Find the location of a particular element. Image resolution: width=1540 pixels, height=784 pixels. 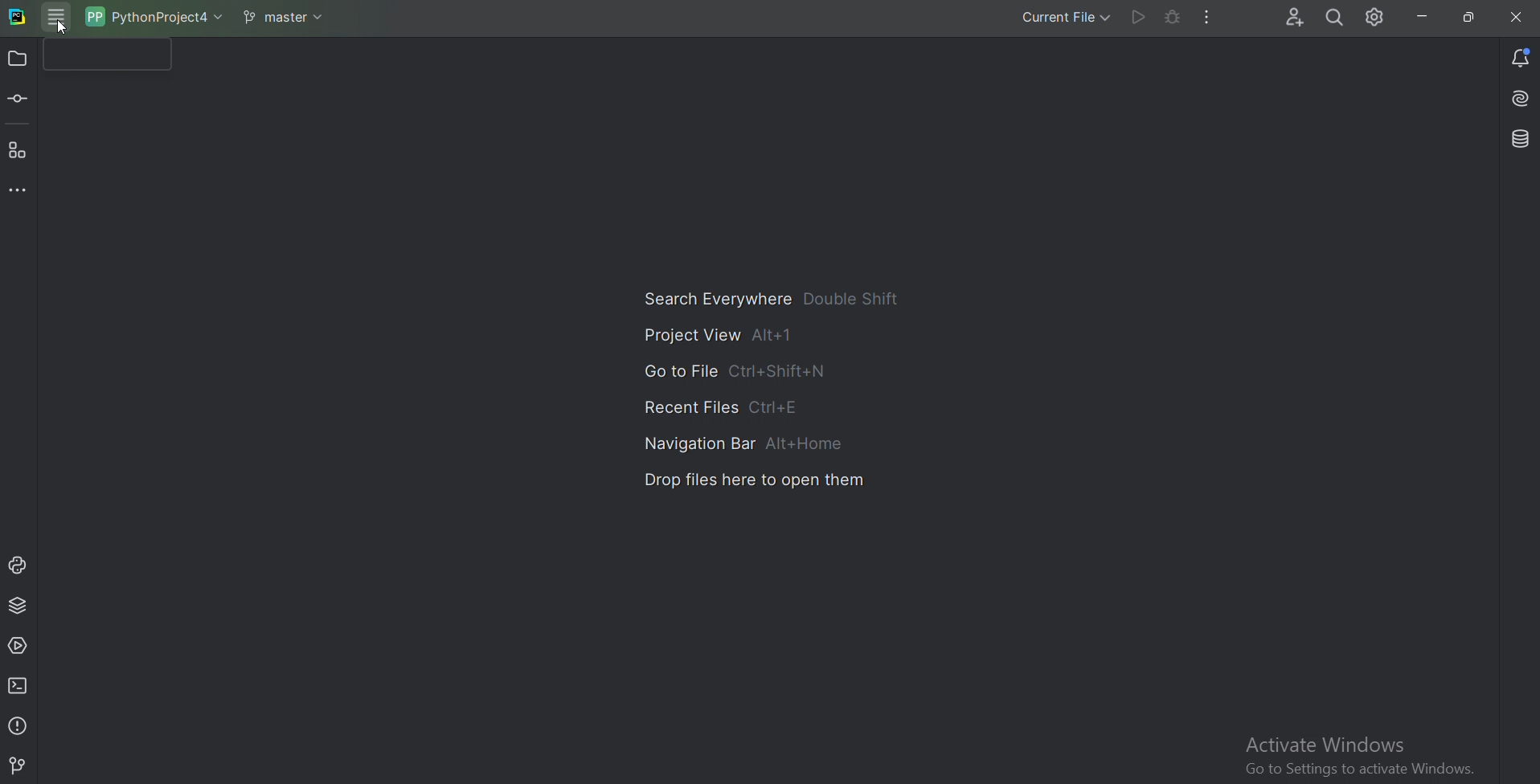

Debug is located at coordinates (1173, 16).